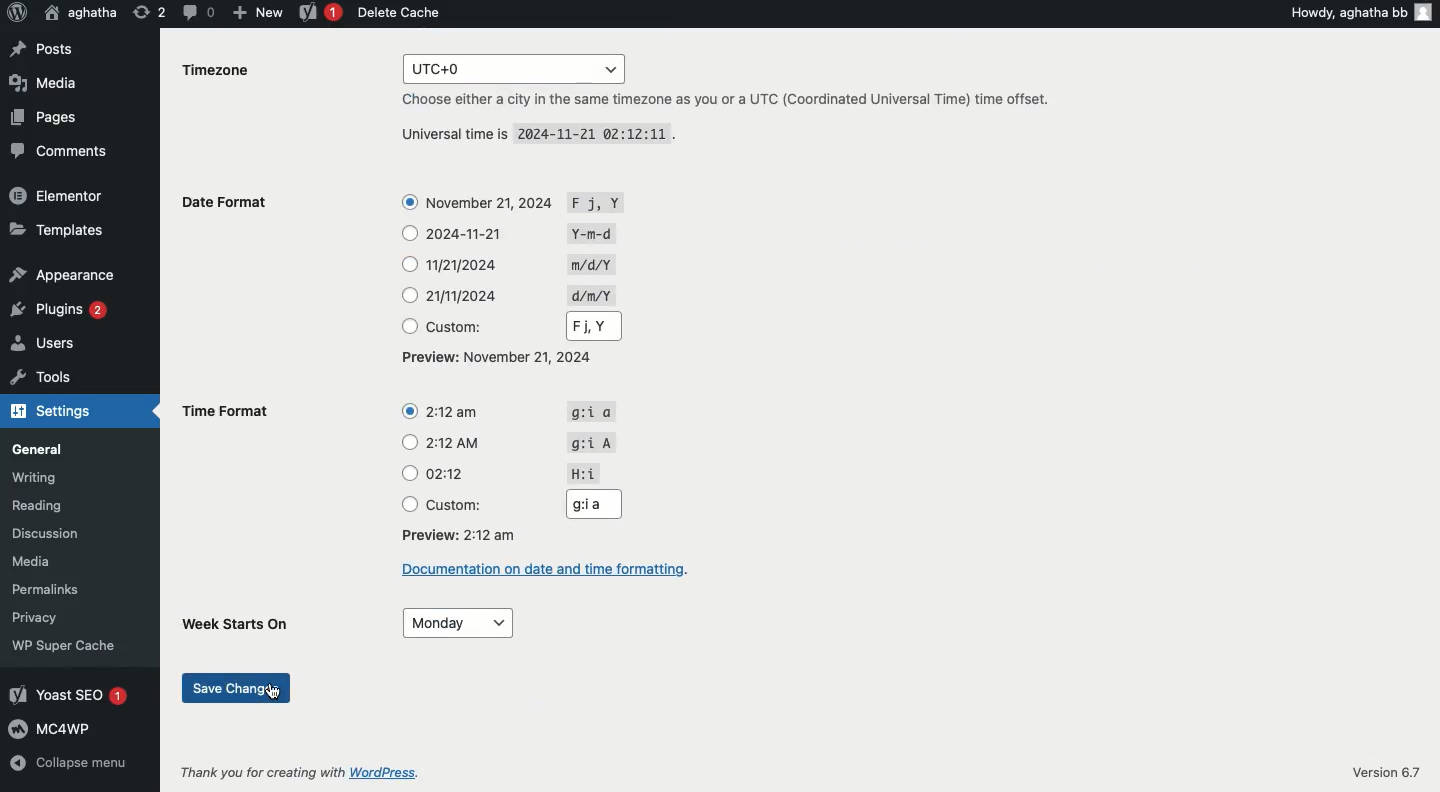 Image resolution: width=1440 pixels, height=792 pixels. What do you see at coordinates (540, 132) in the screenshot?
I see `Universal time is 2024-11-21 02:12:11 .` at bounding box center [540, 132].